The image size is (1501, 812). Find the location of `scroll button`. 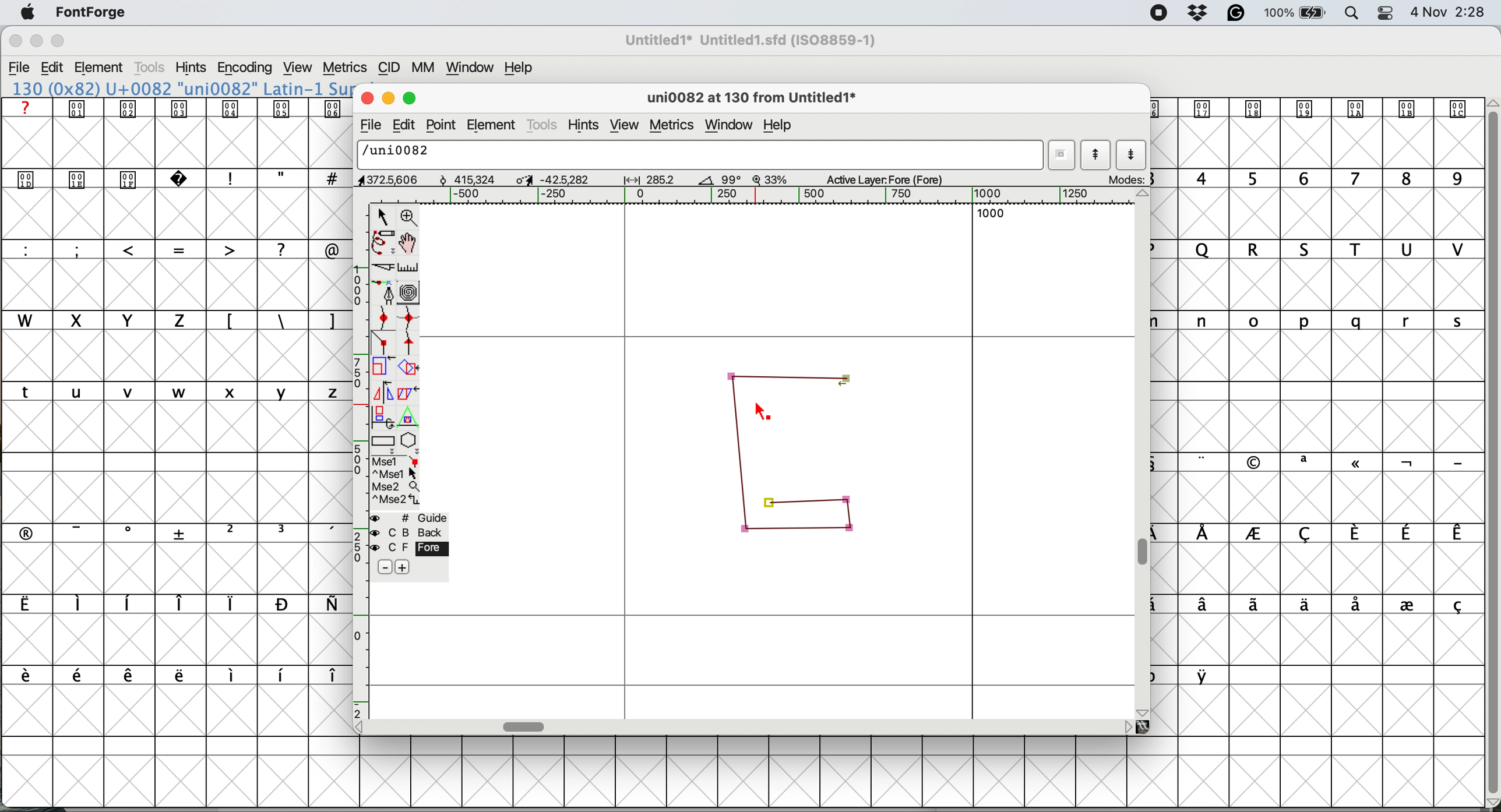

scroll button is located at coordinates (1144, 195).